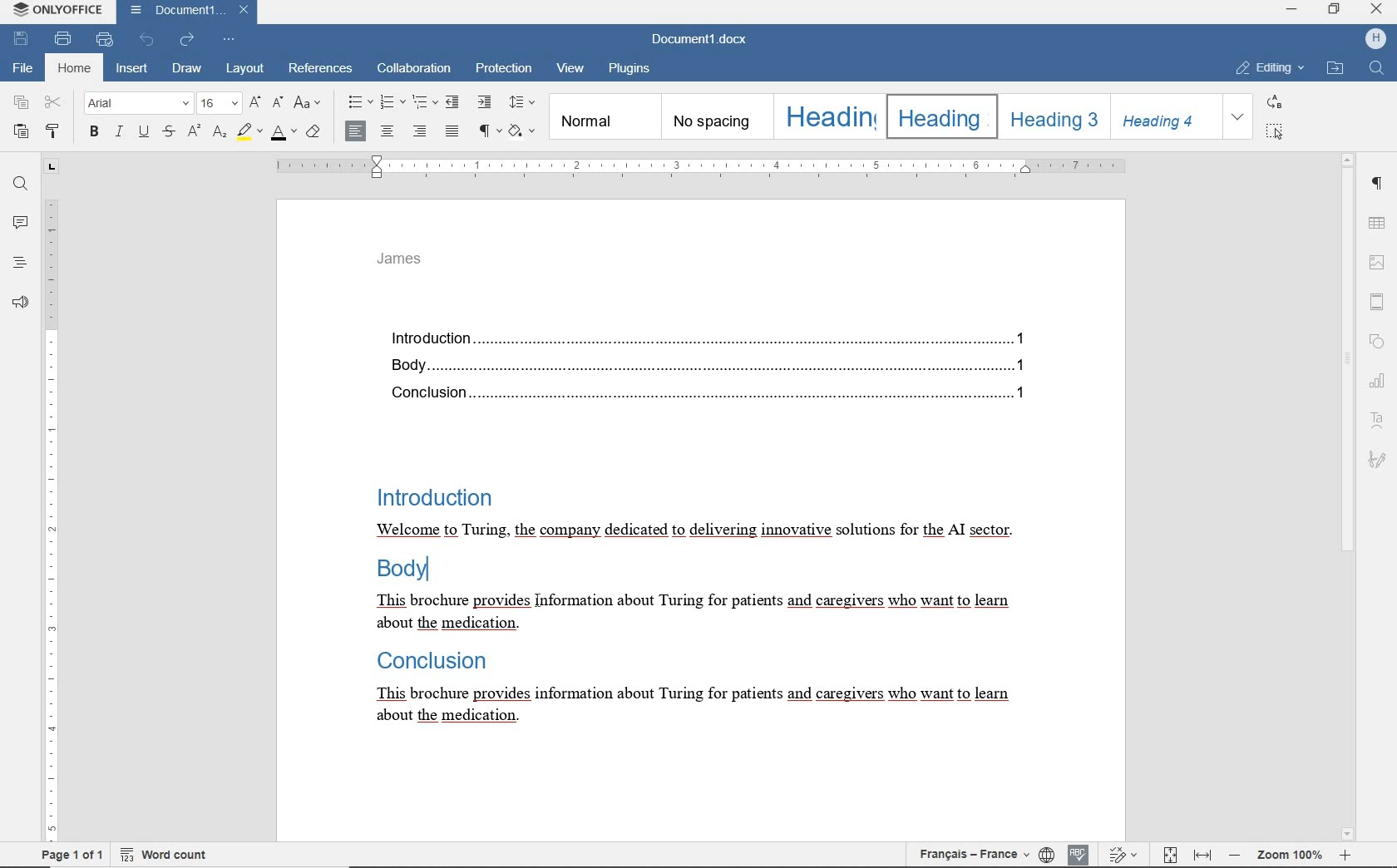 The height and width of the screenshot is (868, 1397). I want to click on zoom in, so click(1344, 856).